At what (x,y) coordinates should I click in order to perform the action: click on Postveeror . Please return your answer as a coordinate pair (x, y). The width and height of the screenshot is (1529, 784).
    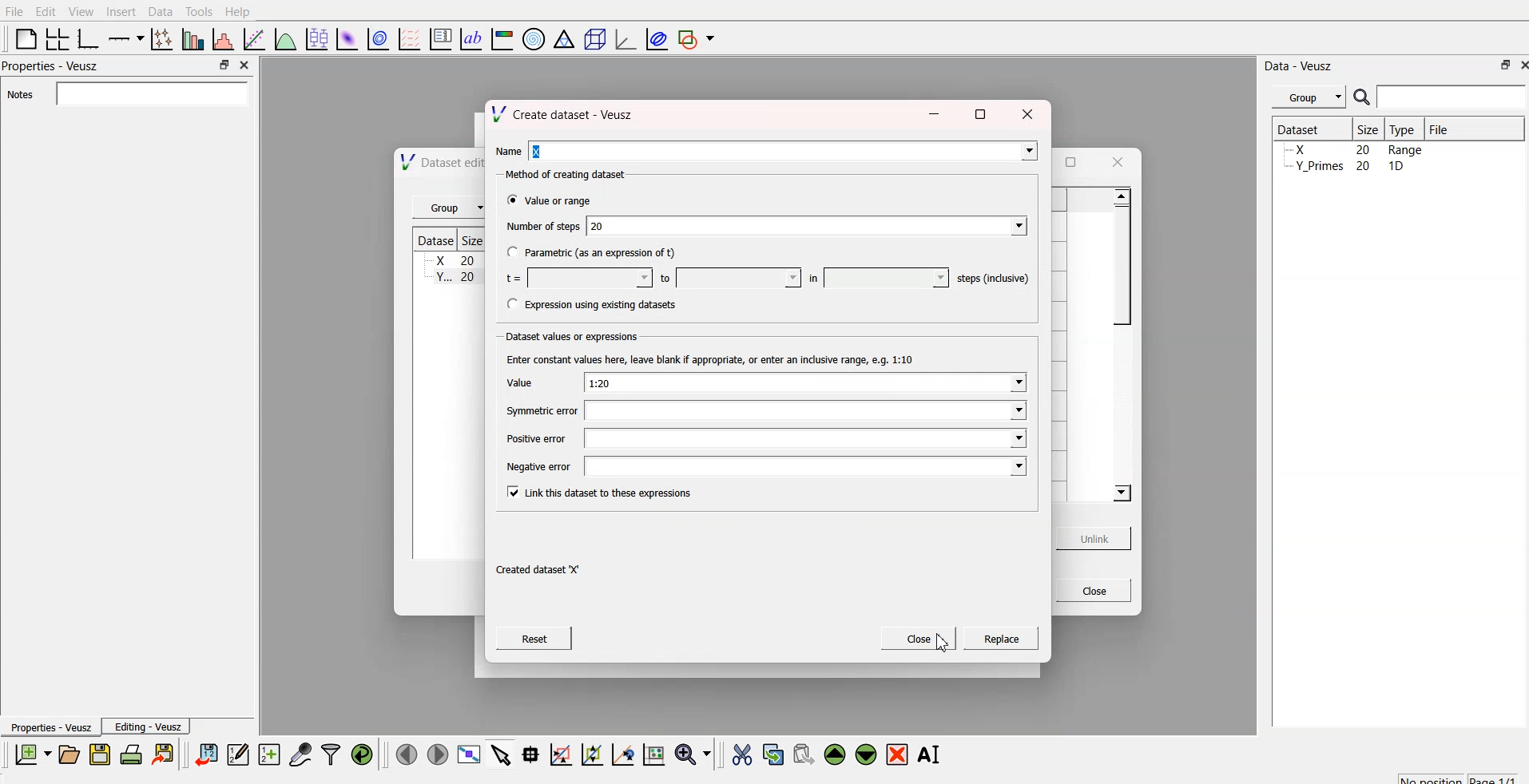
    Looking at the image, I should click on (761, 438).